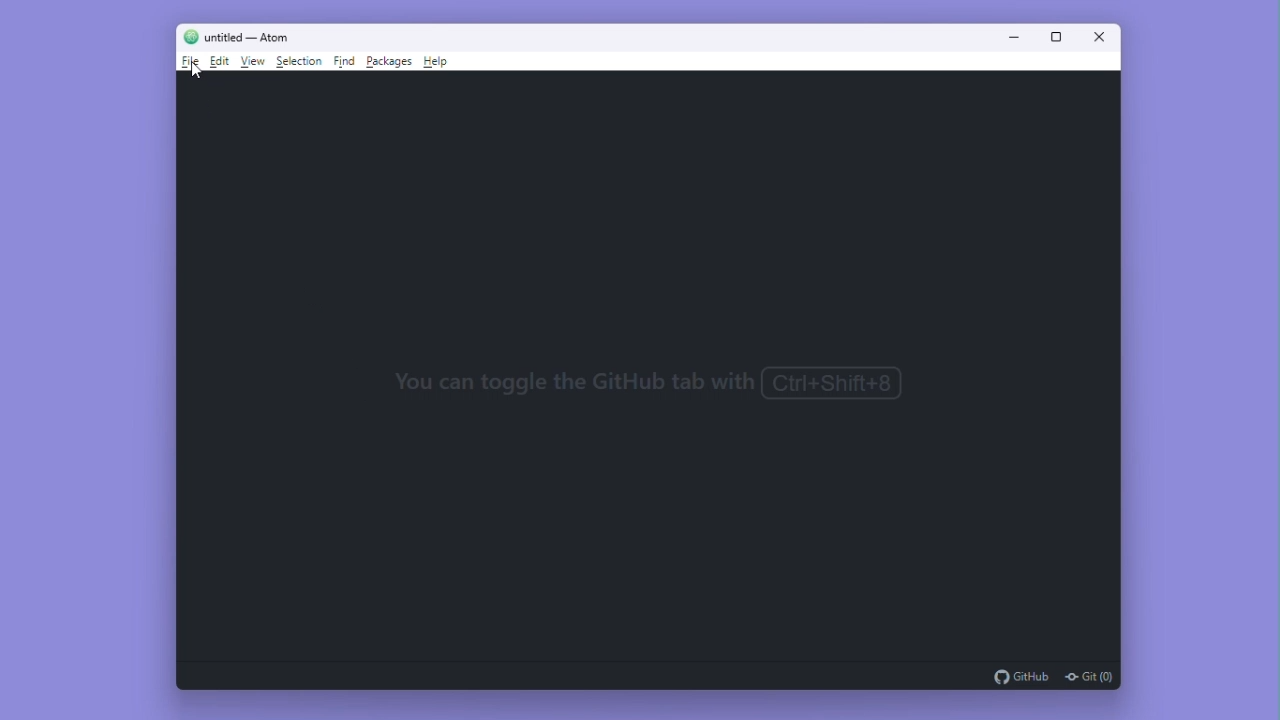  What do you see at coordinates (1094, 38) in the screenshot?
I see `Close` at bounding box center [1094, 38].